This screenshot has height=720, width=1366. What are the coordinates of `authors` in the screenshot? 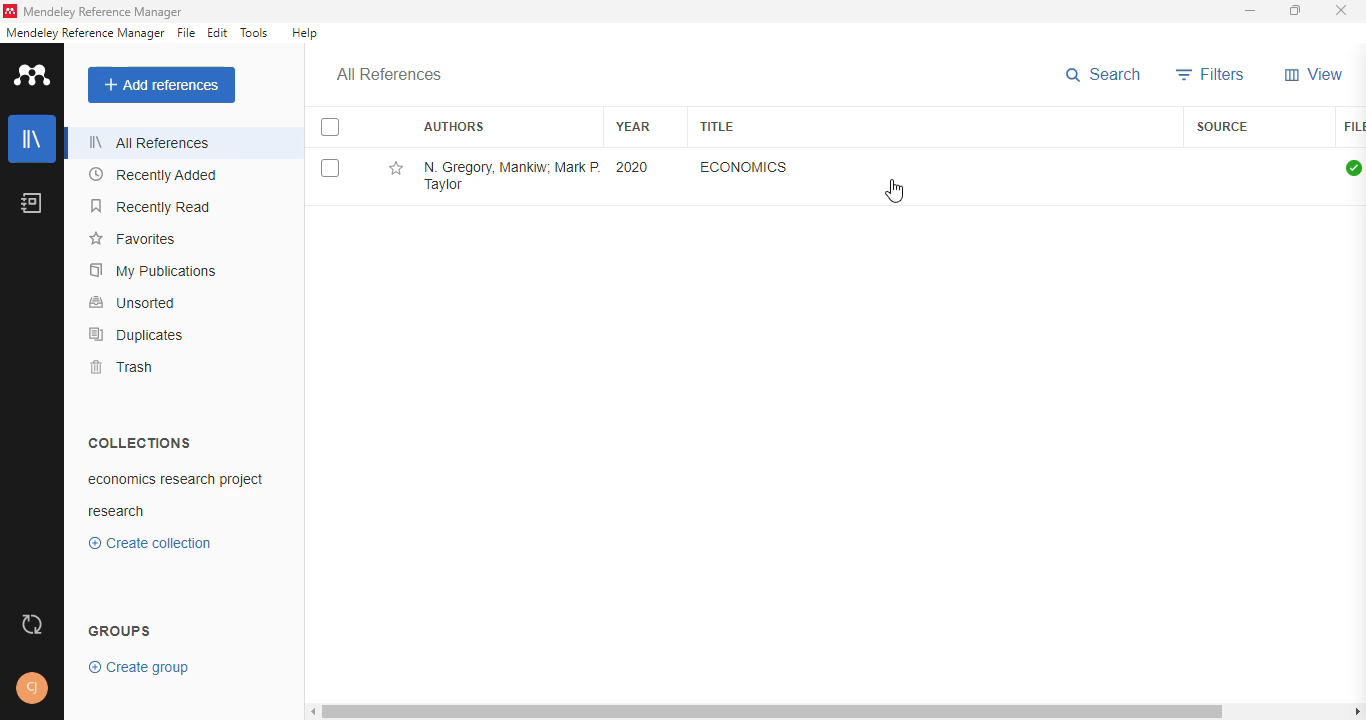 It's located at (454, 126).